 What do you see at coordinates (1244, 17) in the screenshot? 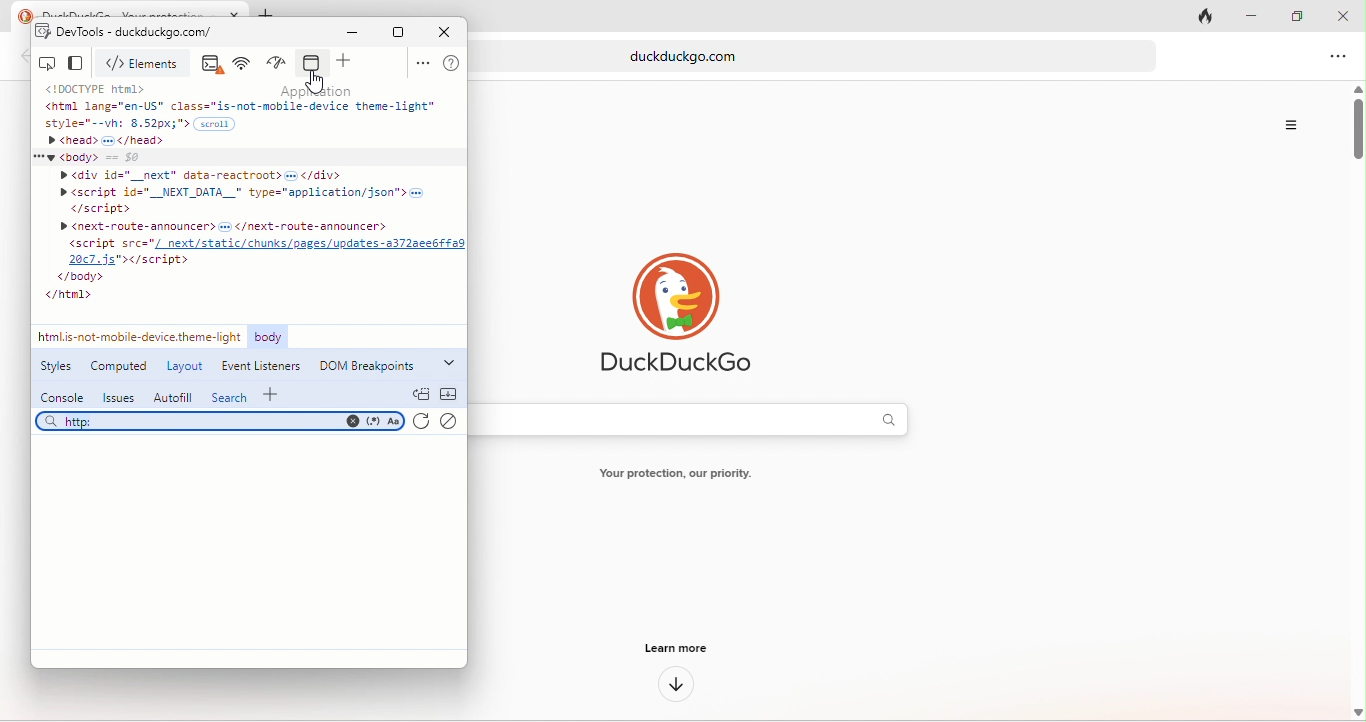
I see `minimize` at bounding box center [1244, 17].